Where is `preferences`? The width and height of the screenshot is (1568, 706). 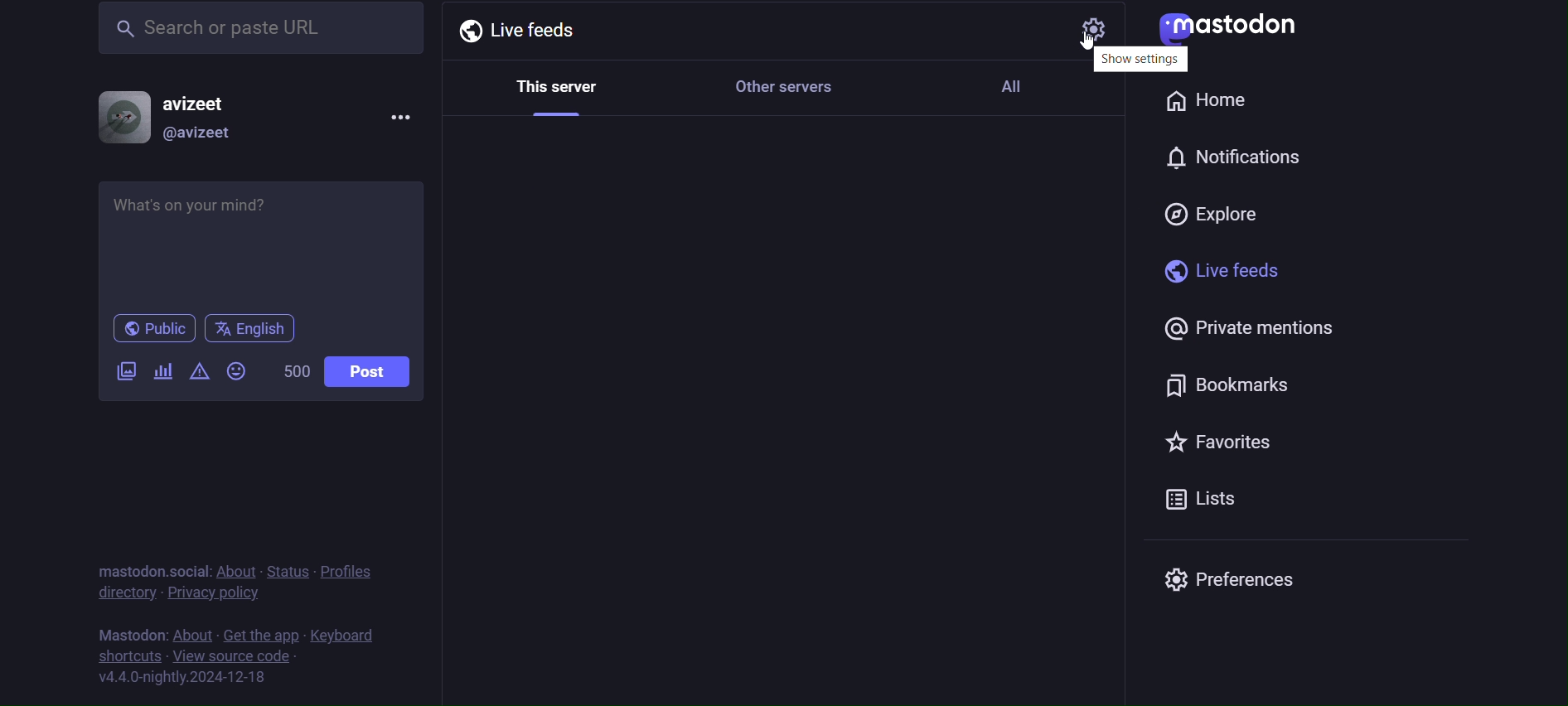 preferences is located at coordinates (1226, 580).